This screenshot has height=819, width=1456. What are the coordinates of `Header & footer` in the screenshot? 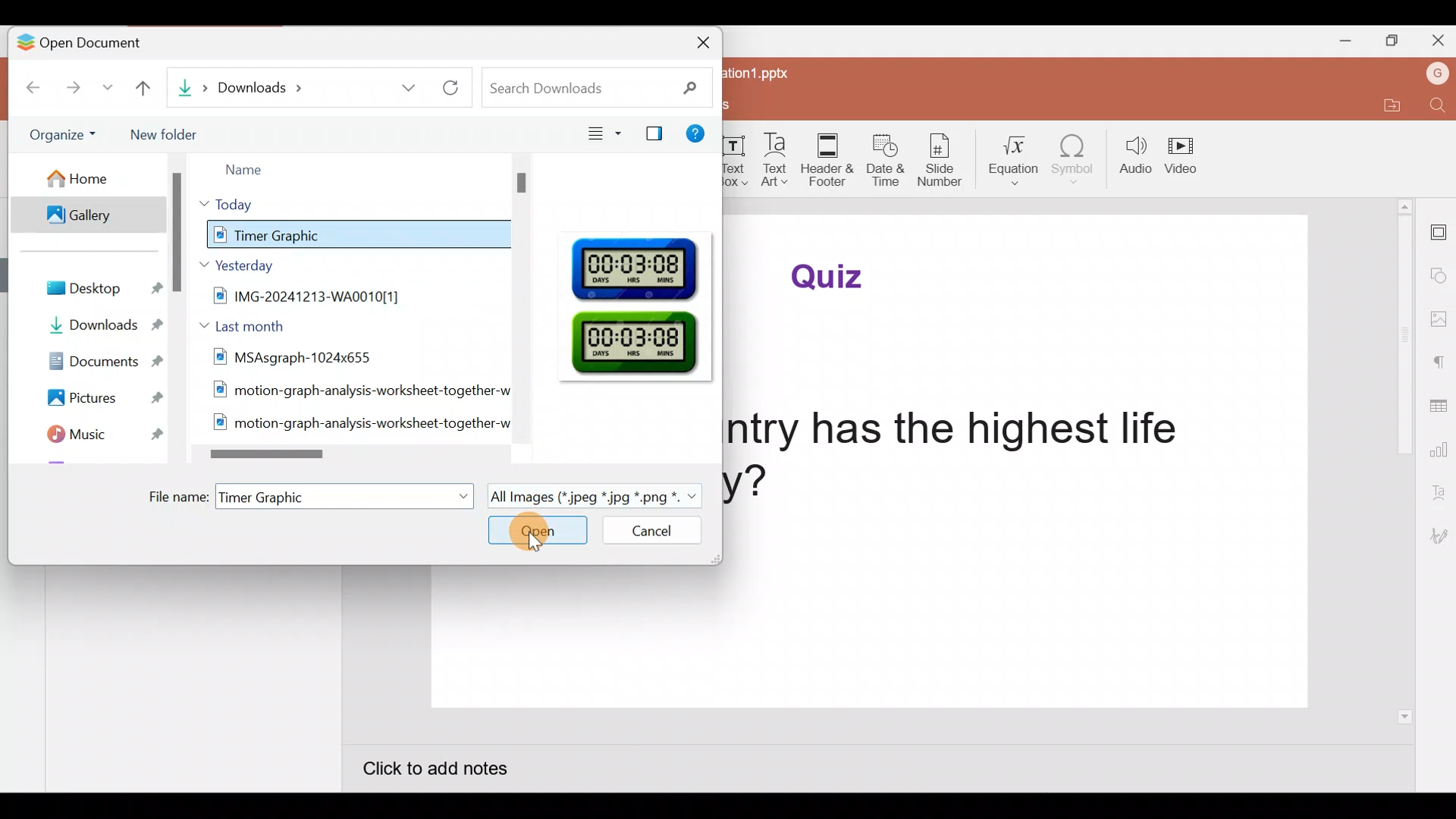 It's located at (827, 155).